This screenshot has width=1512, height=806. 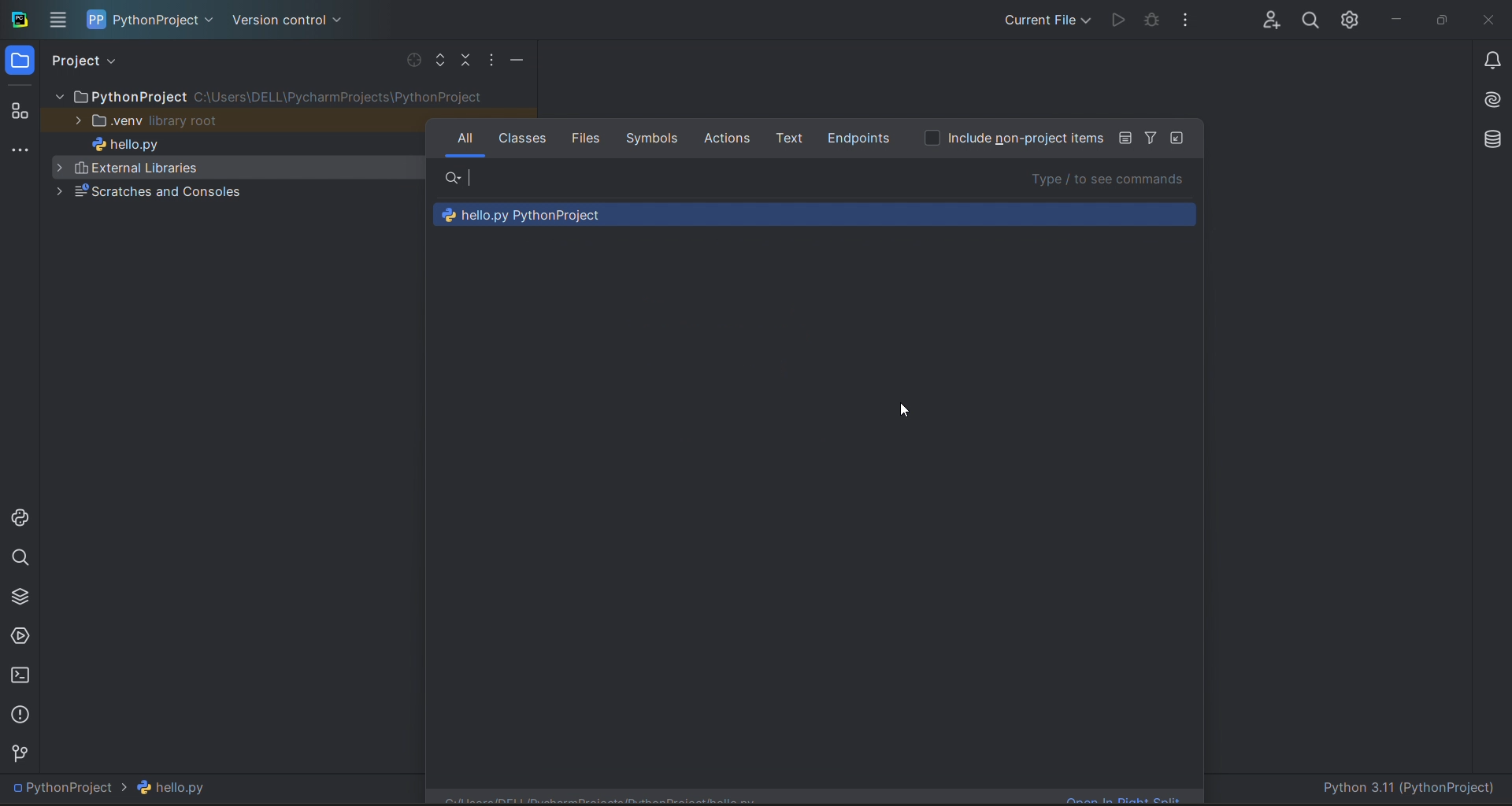 What do you see at coordinates (235, 192) in the screenshot?
I see `Scratches and consoles` at bounding box center [235, 192].